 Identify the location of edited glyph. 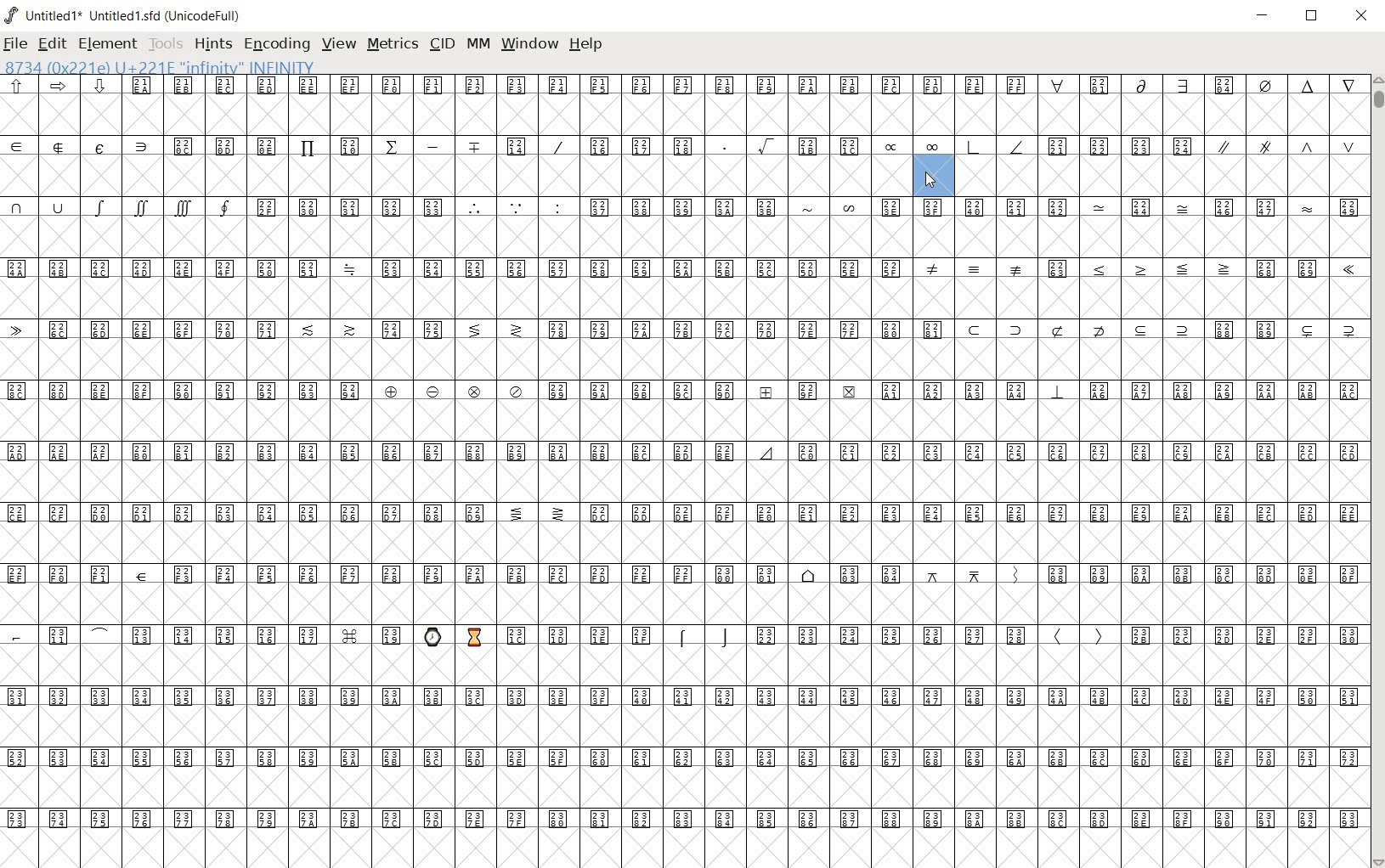
(691, 848).